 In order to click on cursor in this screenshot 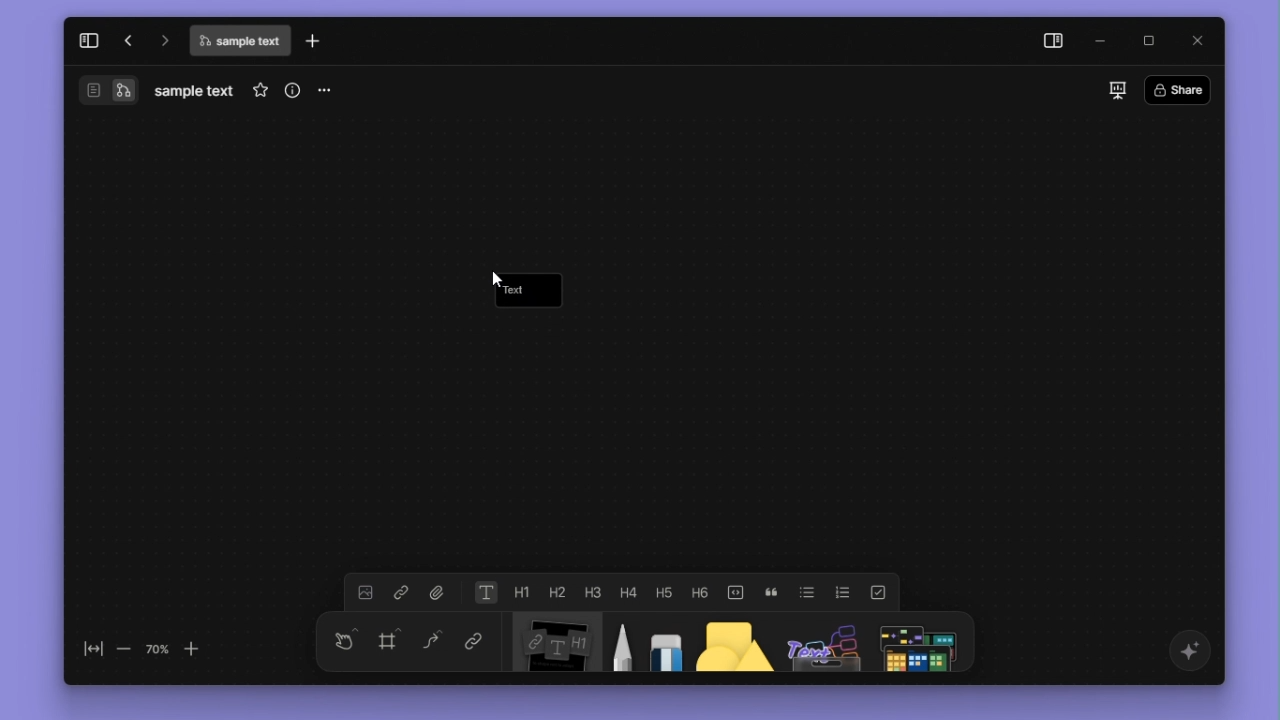, I will do `click(496, 277)`.